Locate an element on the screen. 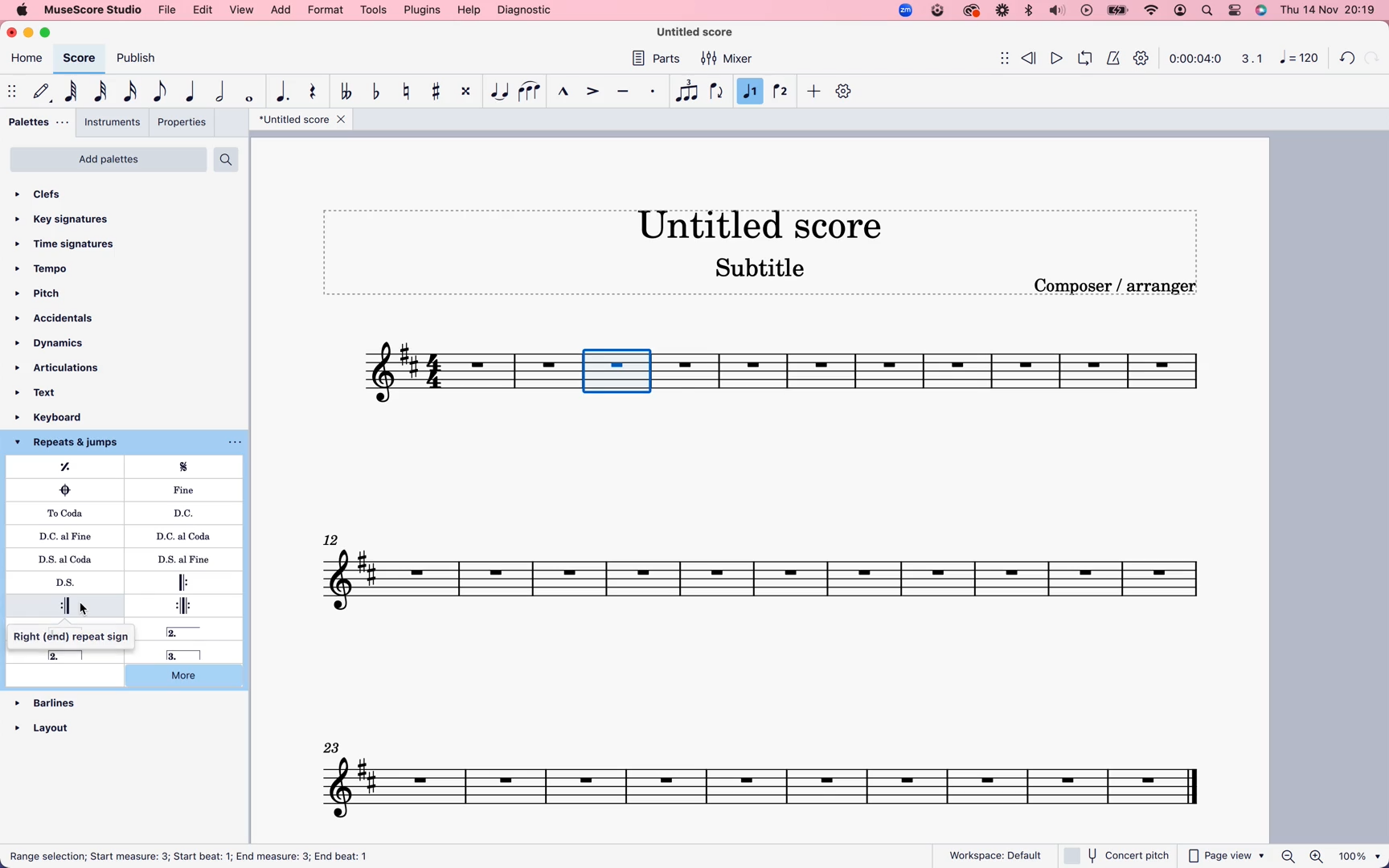  settings is located at coordinates (846, 91).